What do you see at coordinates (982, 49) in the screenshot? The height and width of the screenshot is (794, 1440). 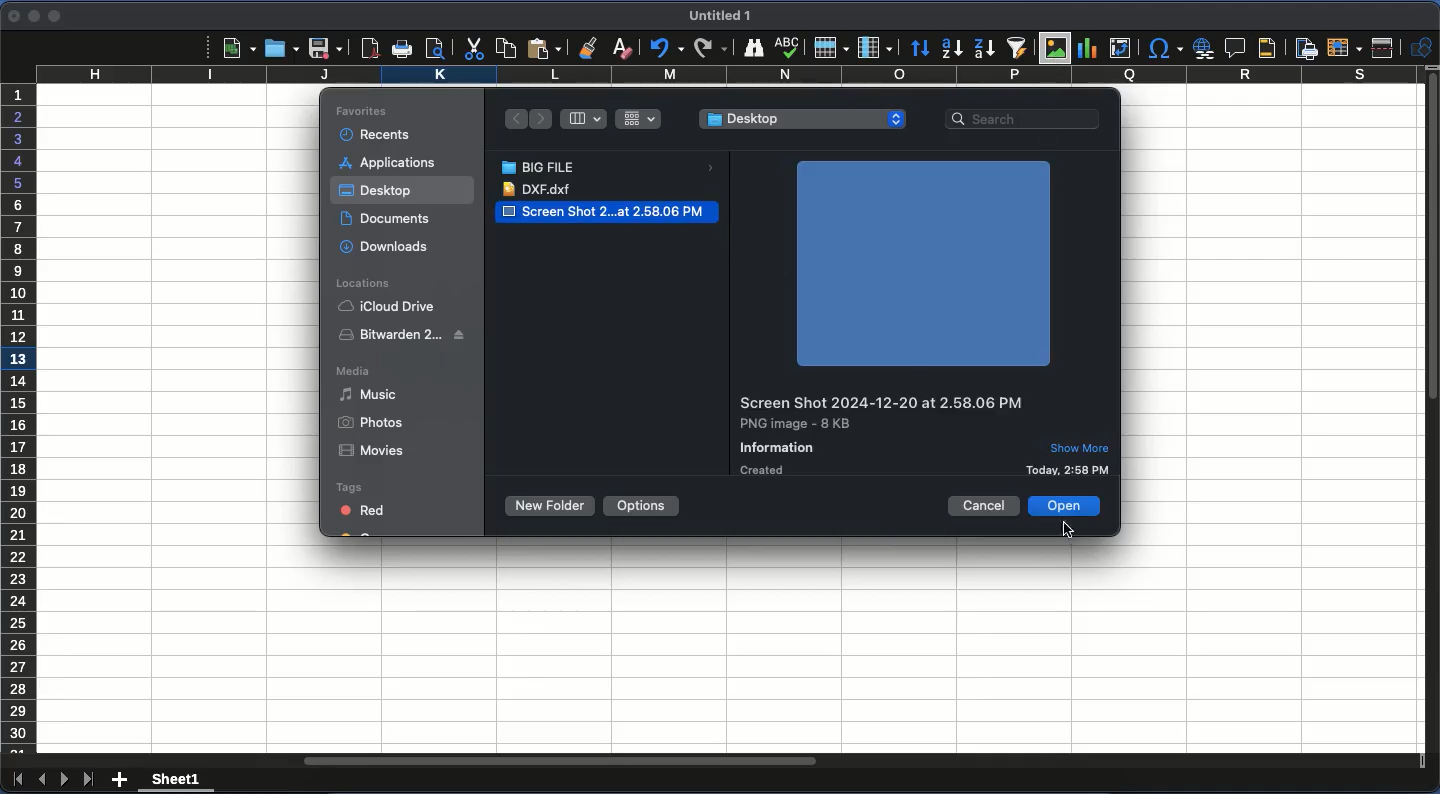 I see `descending` at bounding box center [982, 49].